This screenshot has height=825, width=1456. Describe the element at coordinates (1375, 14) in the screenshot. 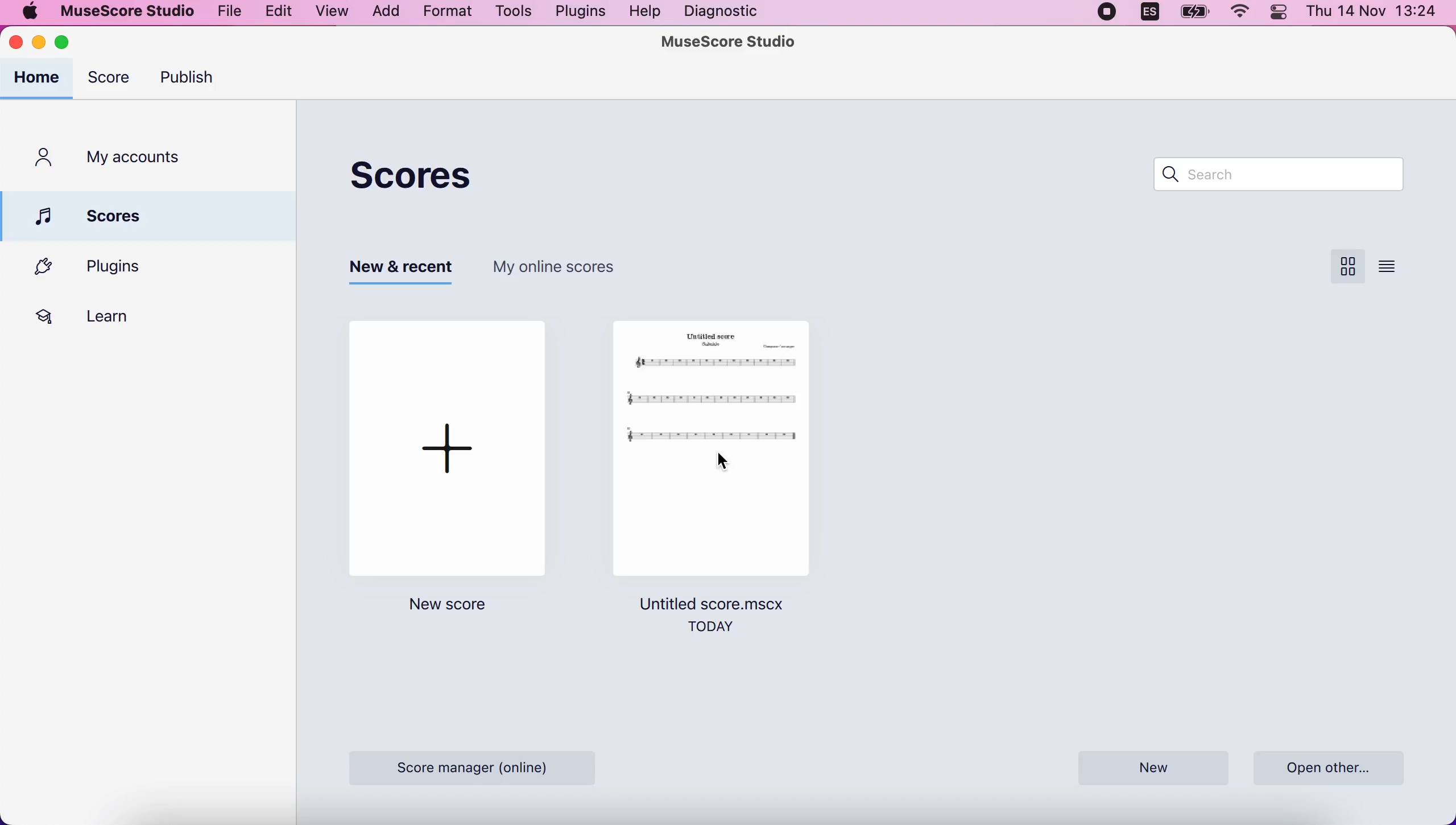

I see `thu 14 nov 13:24` at that location.